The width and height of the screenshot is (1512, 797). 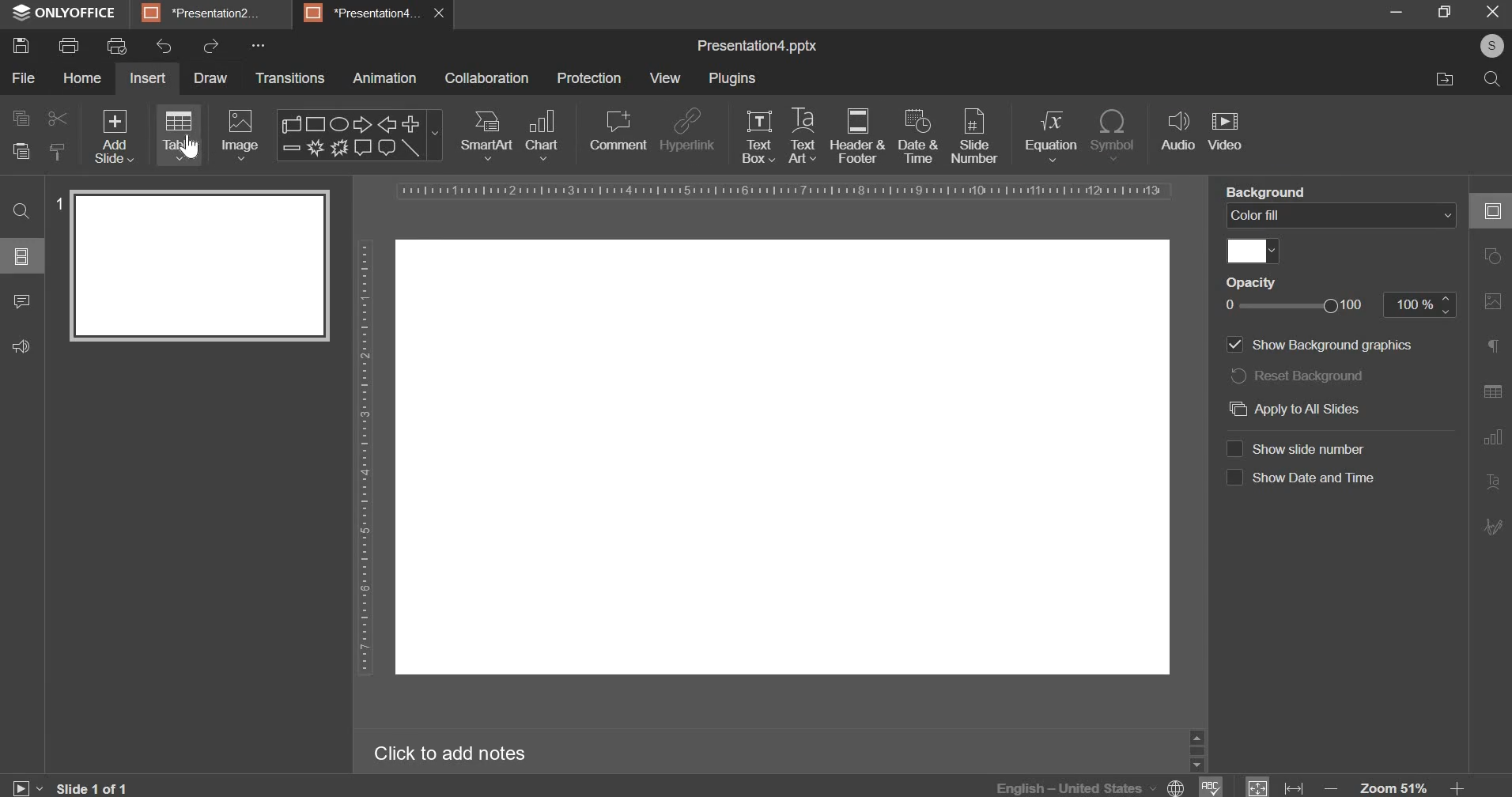 What do you see at coordinates (21, 301) in the screenshot?
I see `comments` at bounding box center [21, 301].